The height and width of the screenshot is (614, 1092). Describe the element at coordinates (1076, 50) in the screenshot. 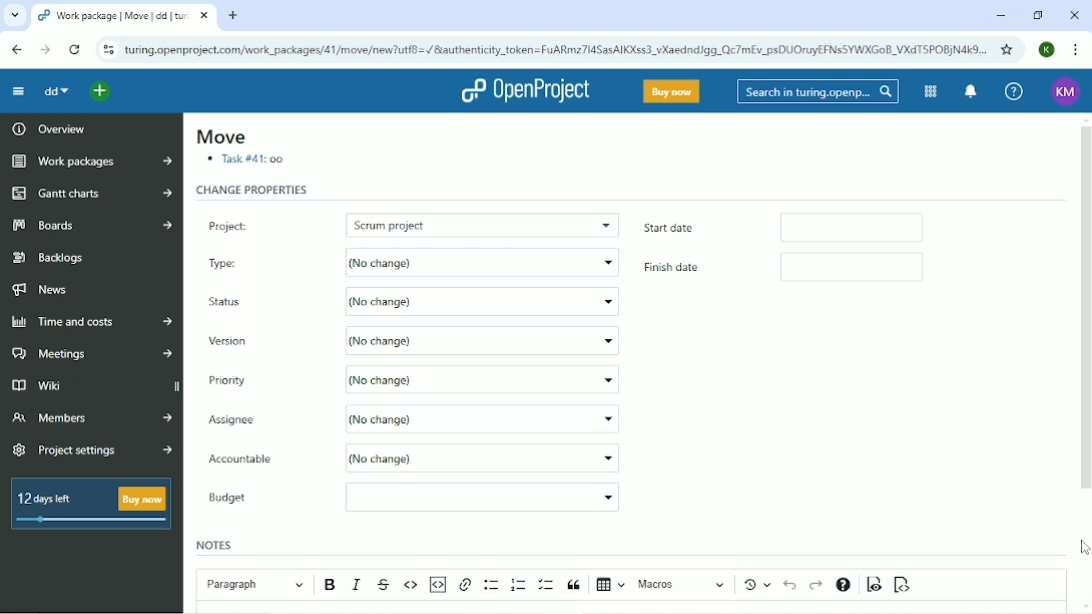

I see `Customize and conrol google chrome` at that location.